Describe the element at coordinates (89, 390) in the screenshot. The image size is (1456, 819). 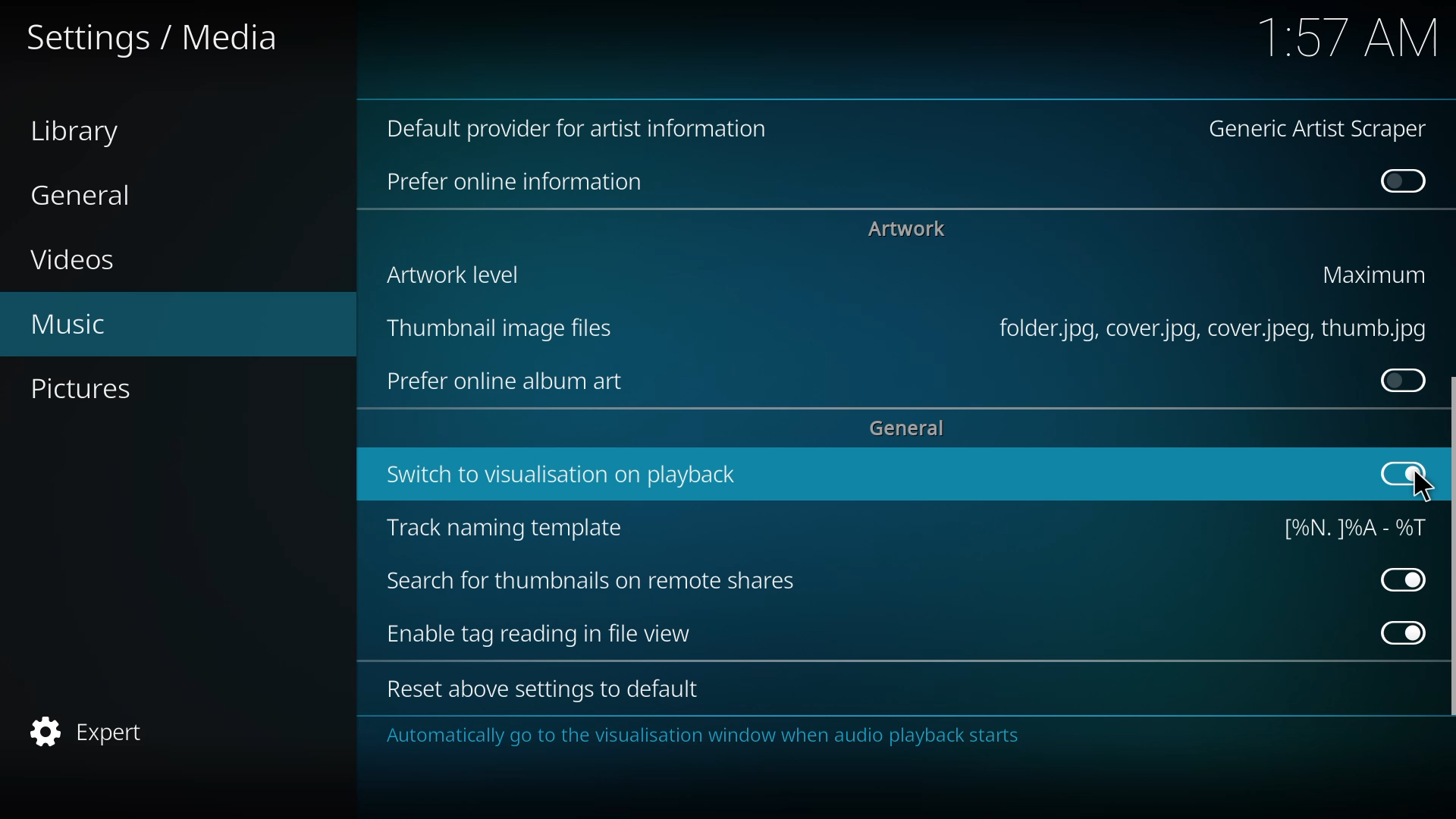
I see `pictures` at that location.